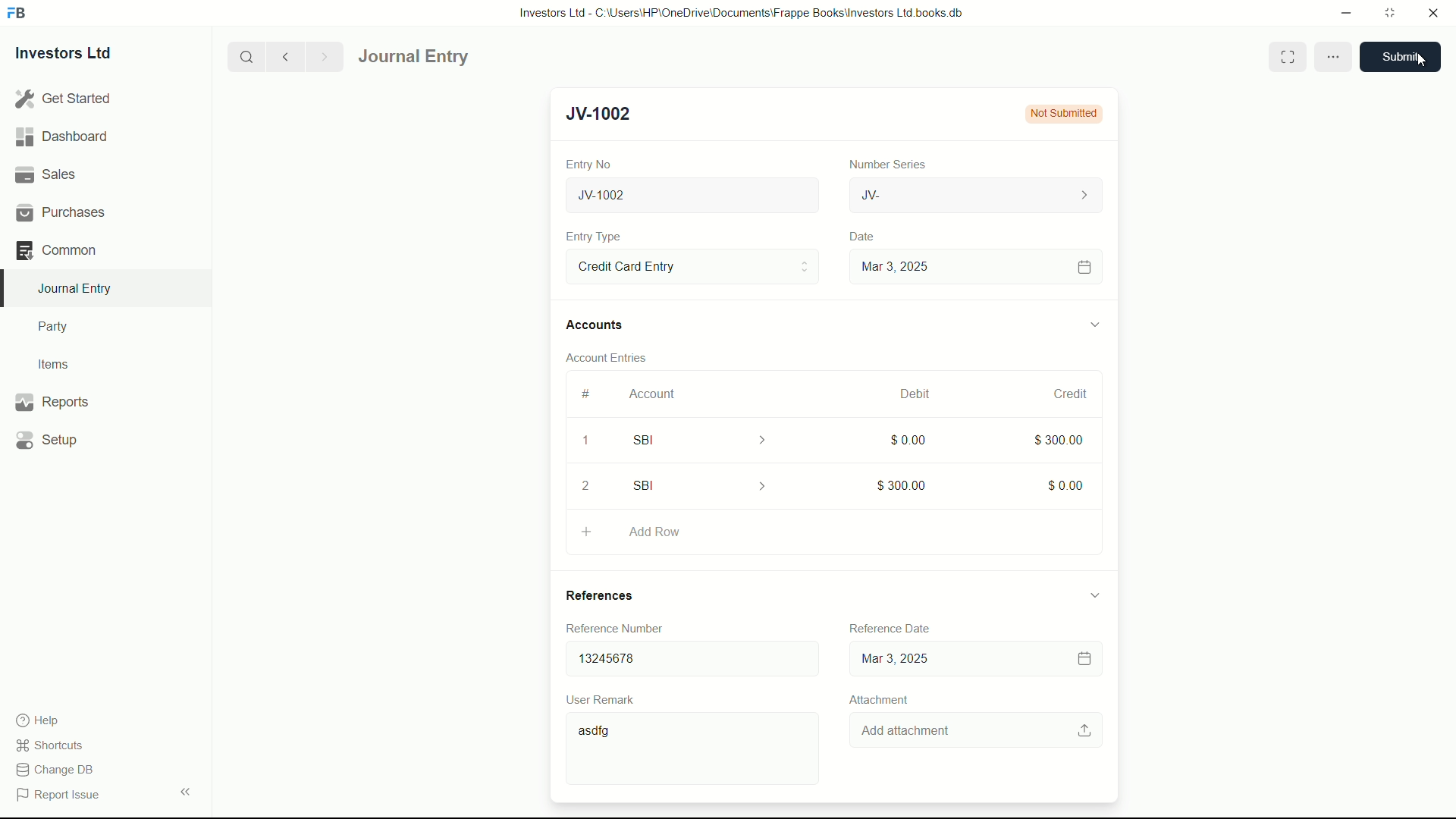  What do you see at coordinates (1094, 322) in the screenshot?
I see `expand/collapse` at bounding box center [1094, 322].